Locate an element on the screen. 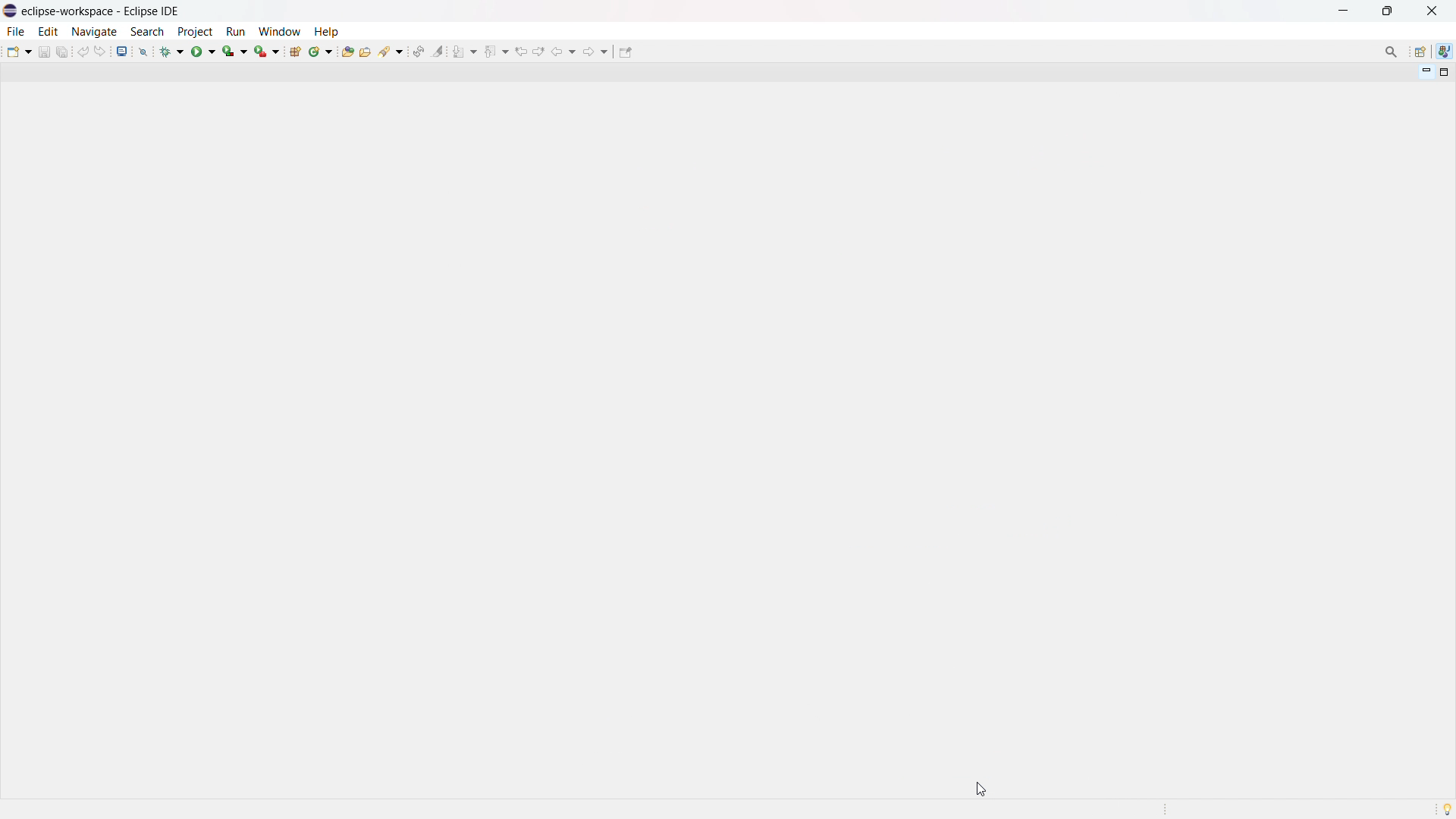 The height and width of the screenshot is (819, 1456). maximize view is located at coordinates (1445, 72).